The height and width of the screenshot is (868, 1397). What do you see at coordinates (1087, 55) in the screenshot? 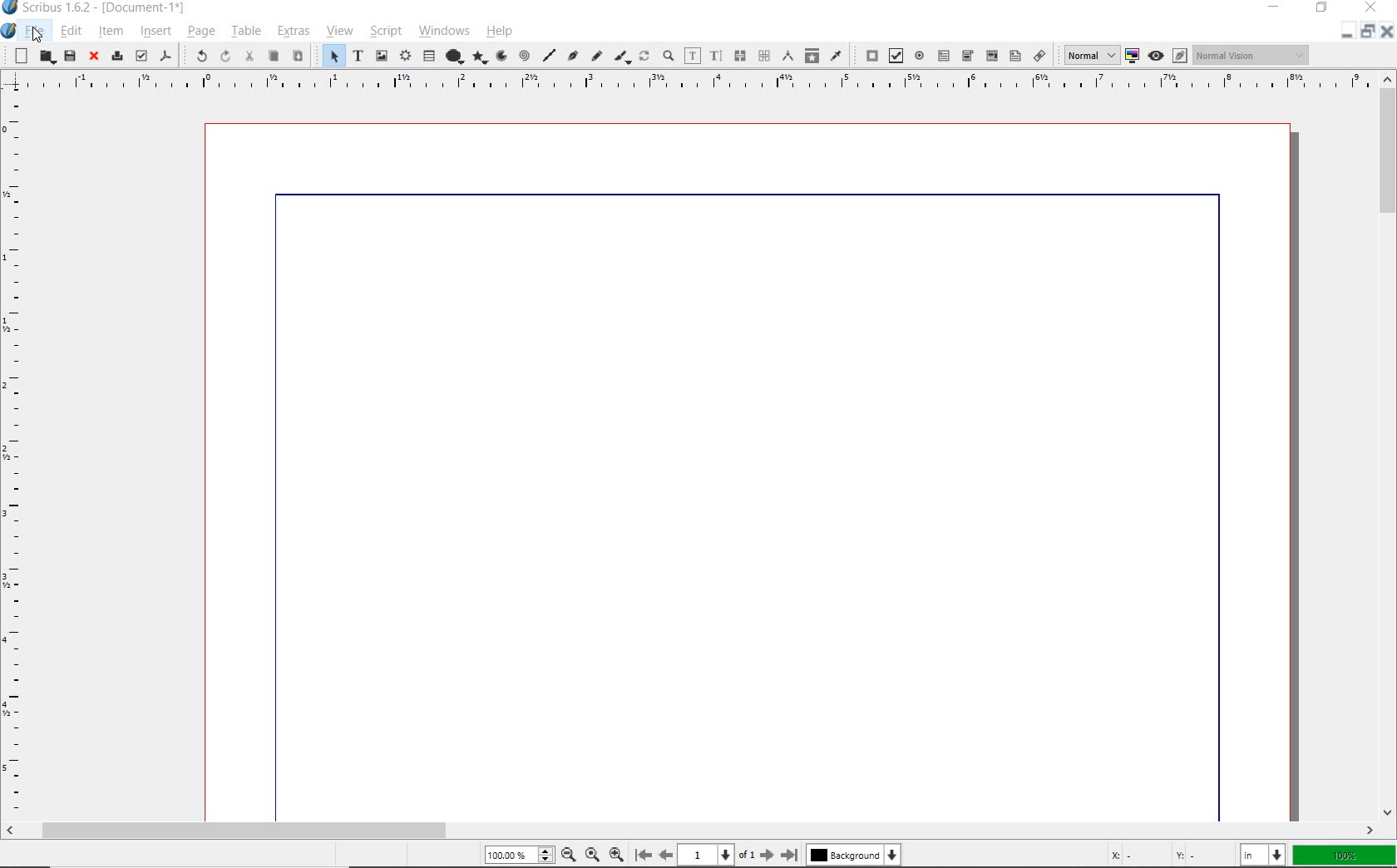
I see `Normal` at bounding box center [1087, 55].